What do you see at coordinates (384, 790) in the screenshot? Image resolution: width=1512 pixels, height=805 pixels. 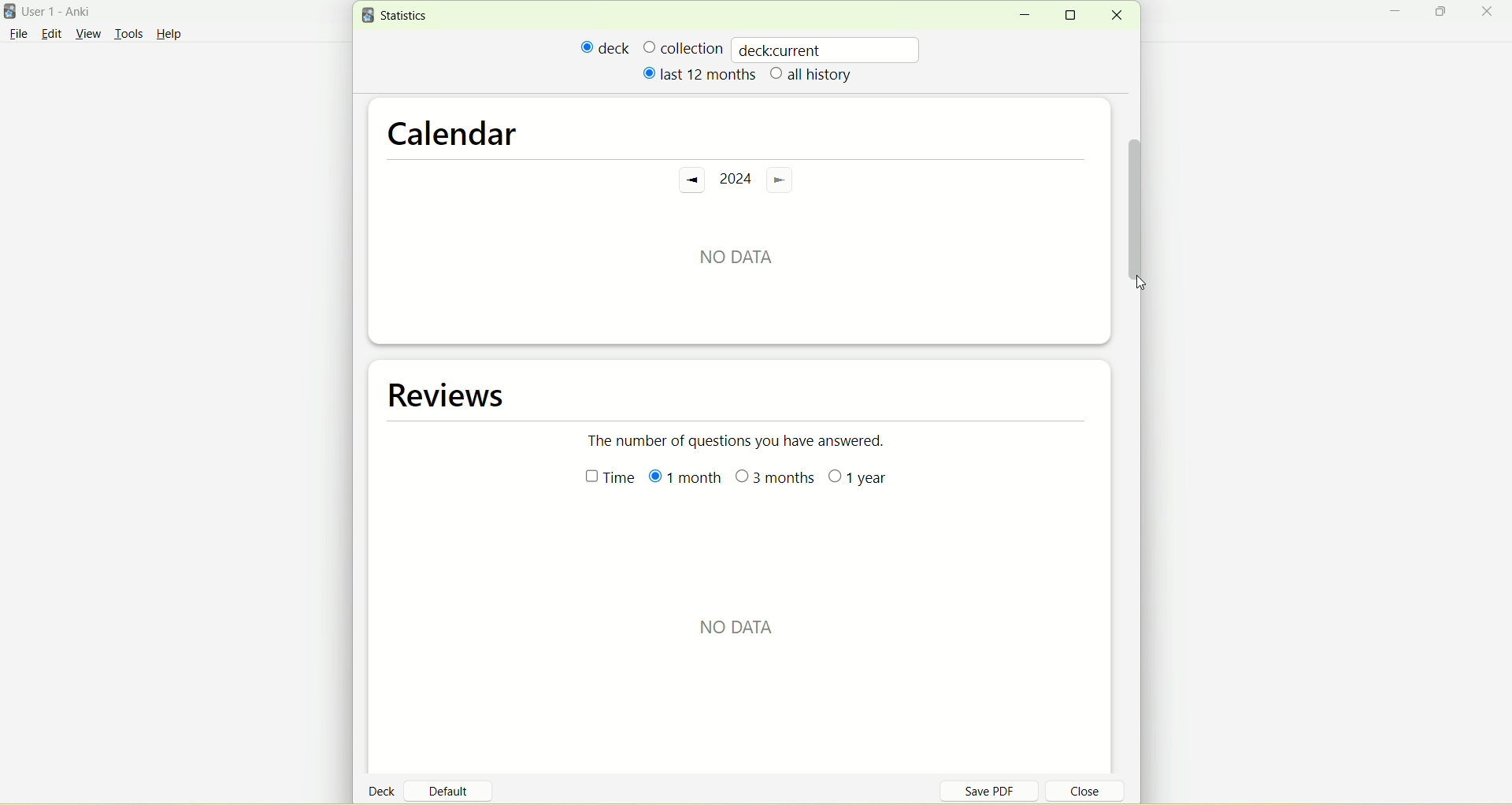 I see `deck` at bounding box center [384, 790].